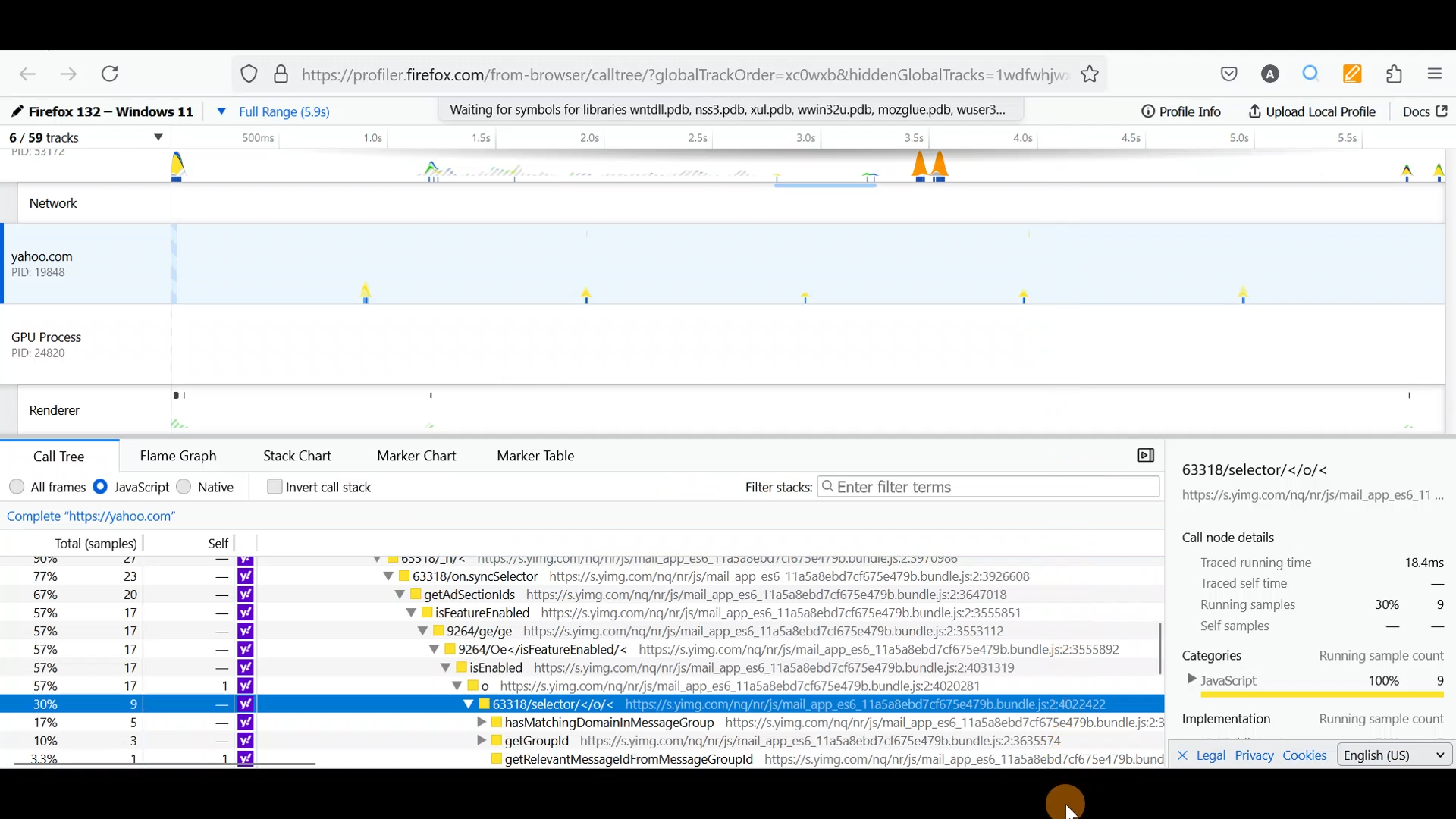 The image size is (1456, 819). Describe the element at coordinates (1186, 115) in the screenshot. I see `Bookmark 7` at that location.